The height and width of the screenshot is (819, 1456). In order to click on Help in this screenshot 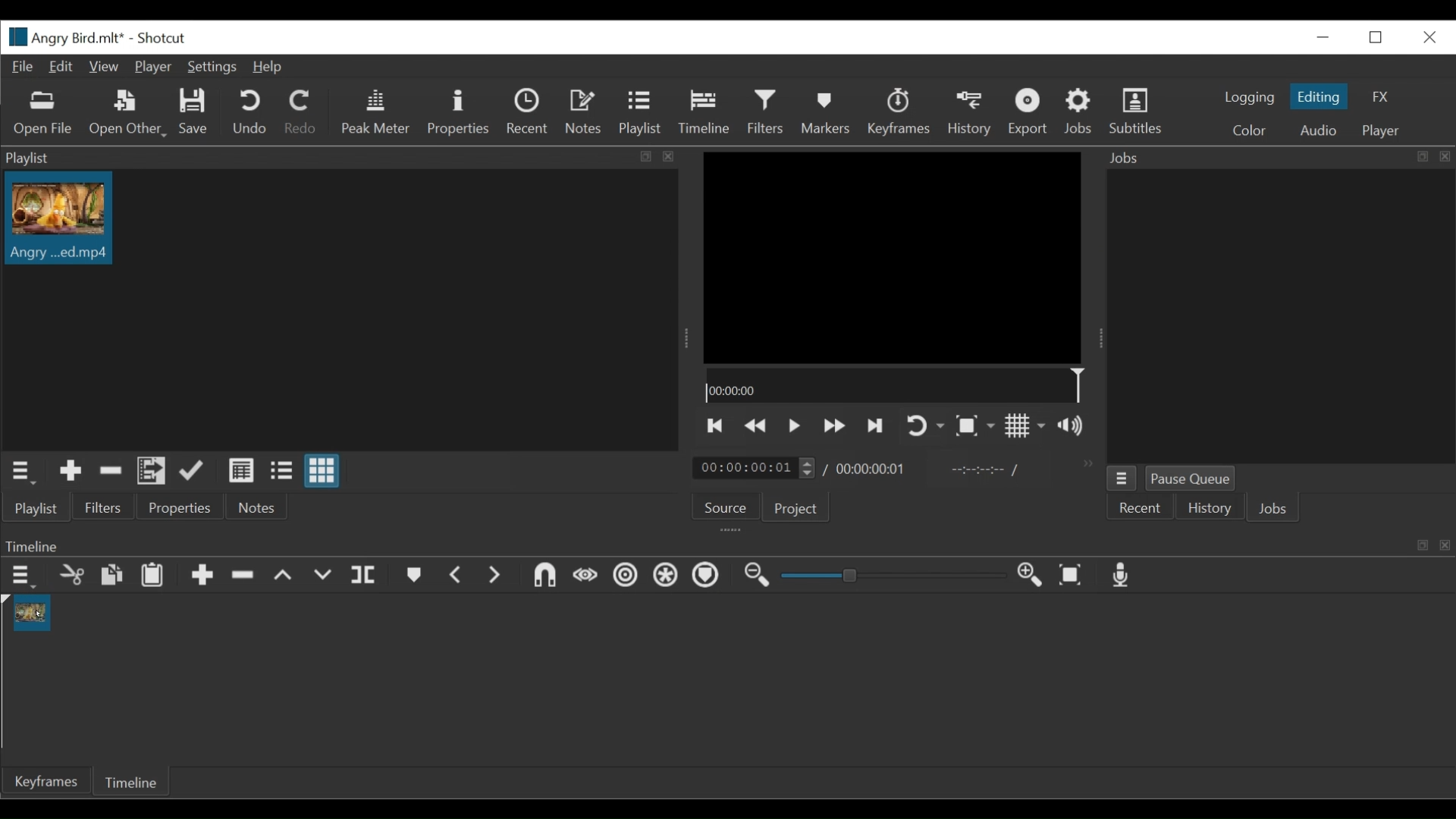, I will do `click(269, 67)`.